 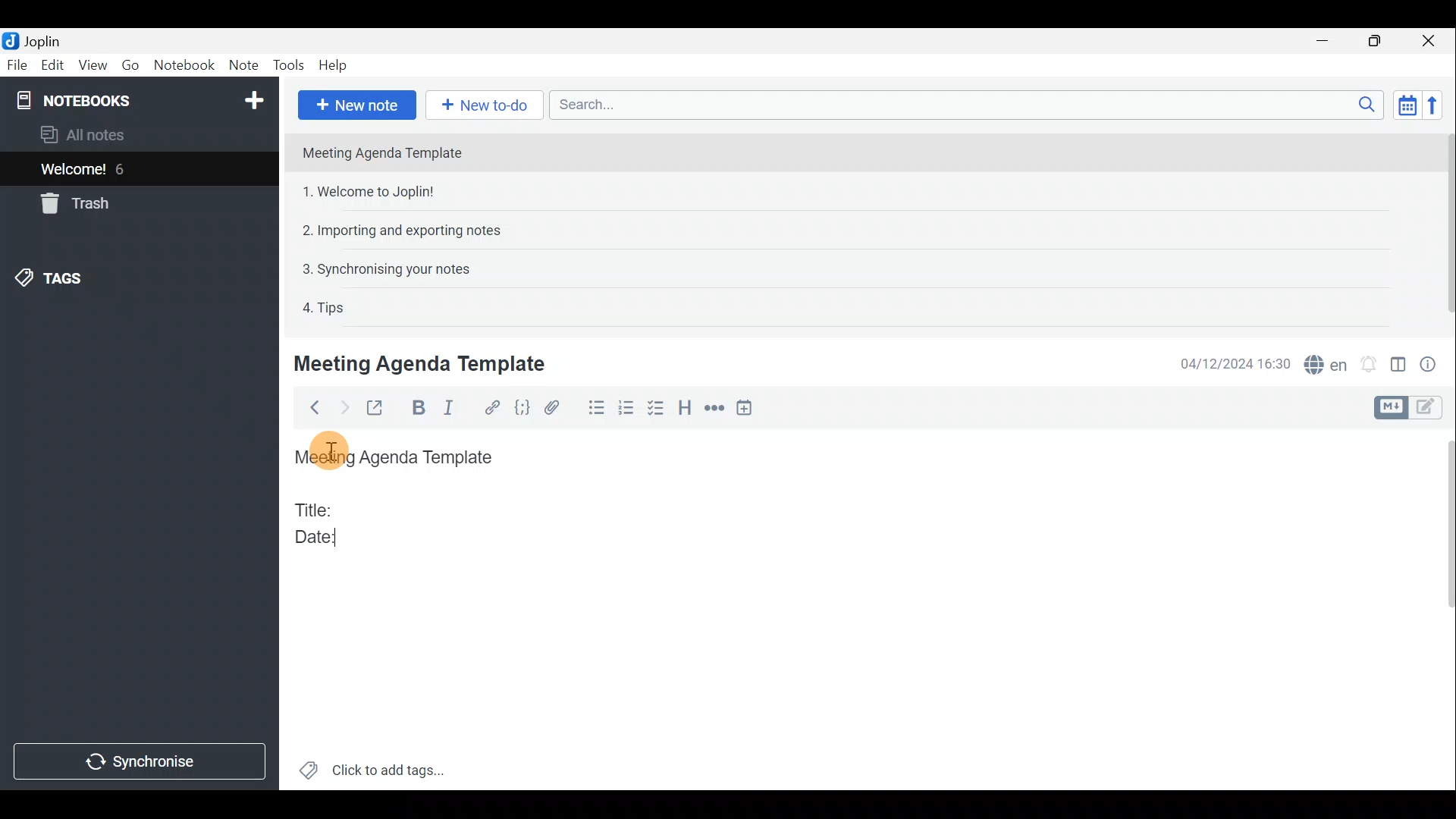 I want to click on Welcome!, so click(x=74, y=171).